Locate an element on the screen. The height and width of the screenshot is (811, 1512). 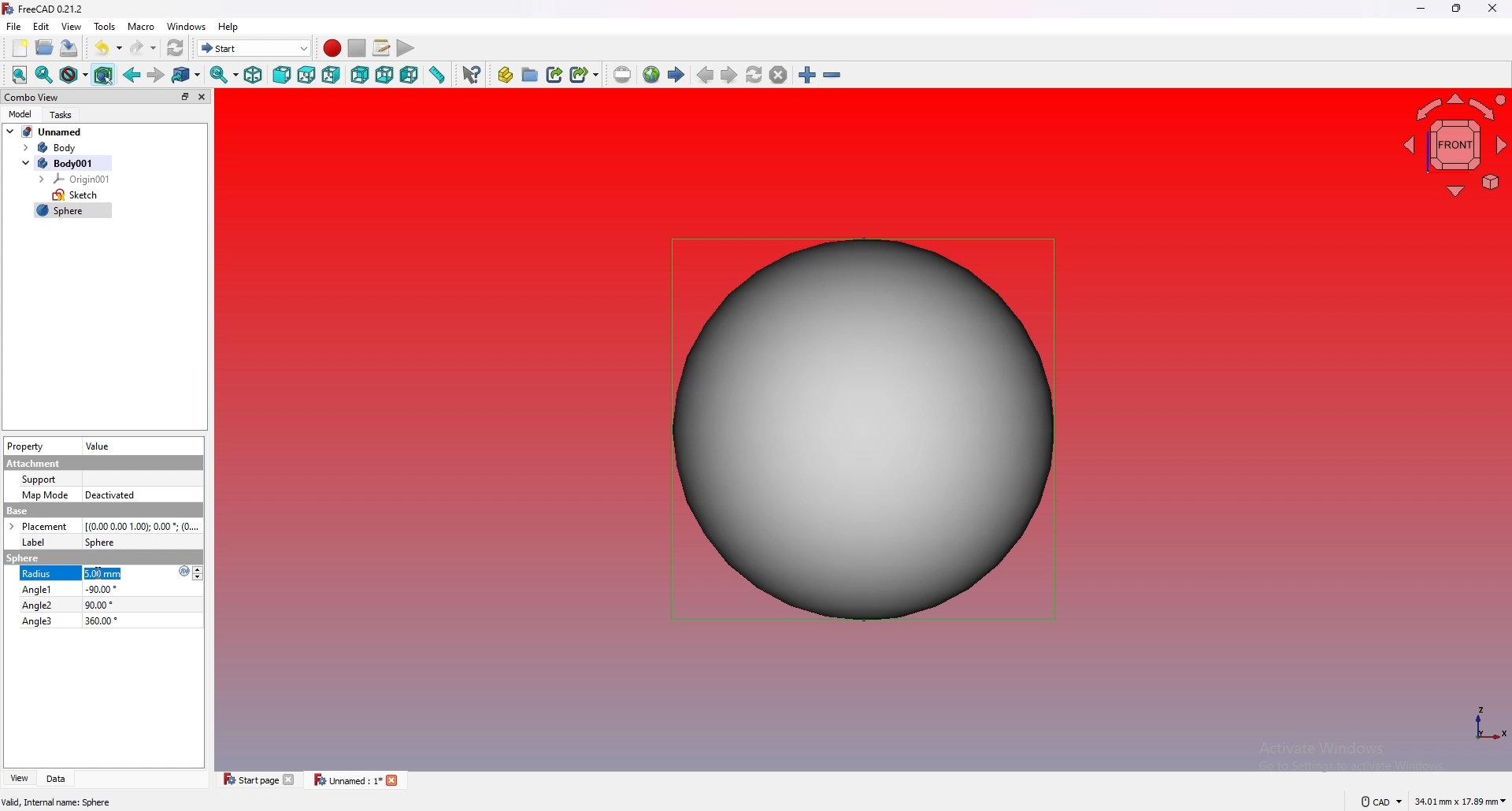
radius 5.00mm is located at coordinates (76, 575).